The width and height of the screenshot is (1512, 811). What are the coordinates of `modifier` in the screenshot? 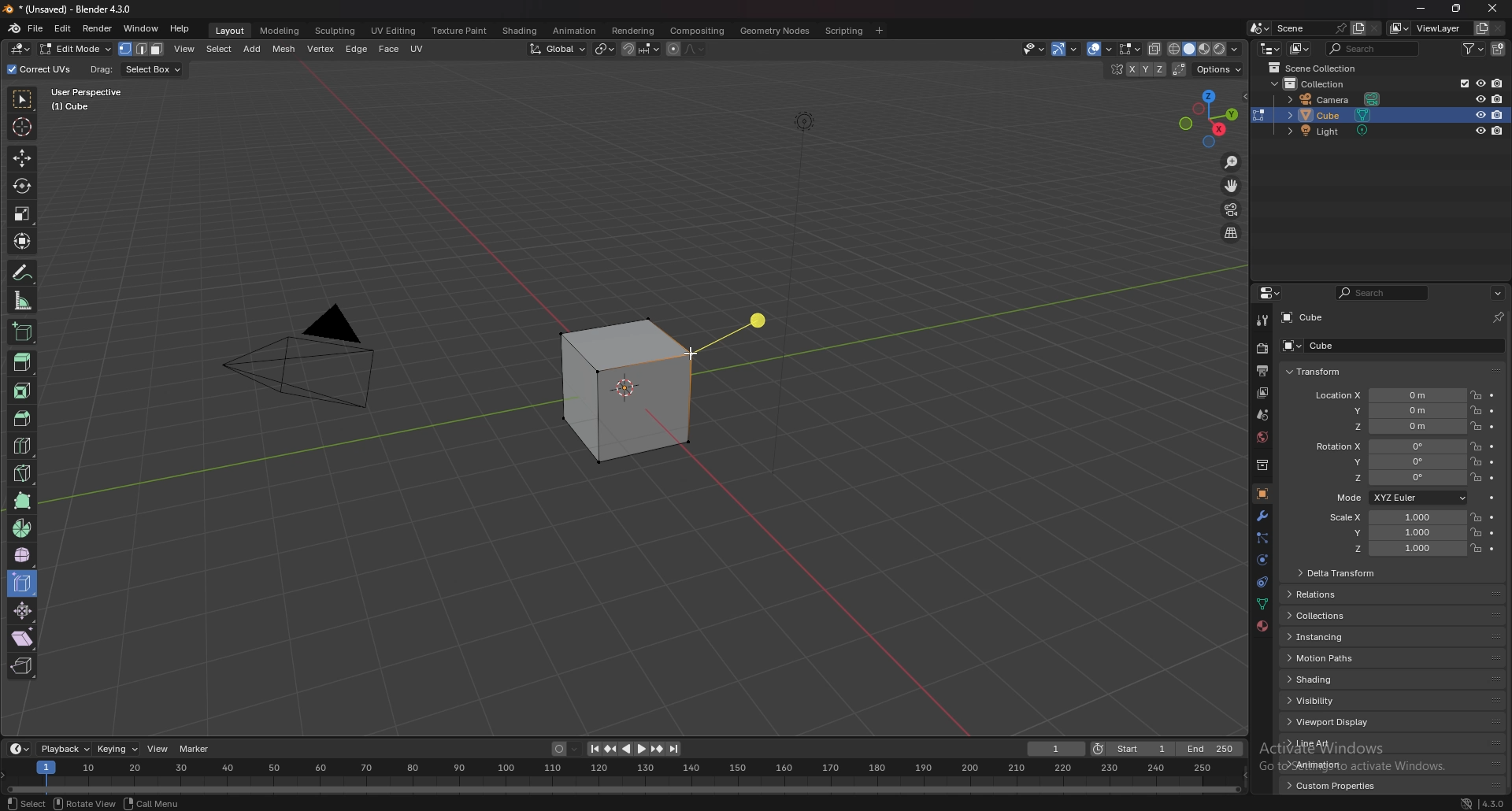 It's located at (1264, 515).